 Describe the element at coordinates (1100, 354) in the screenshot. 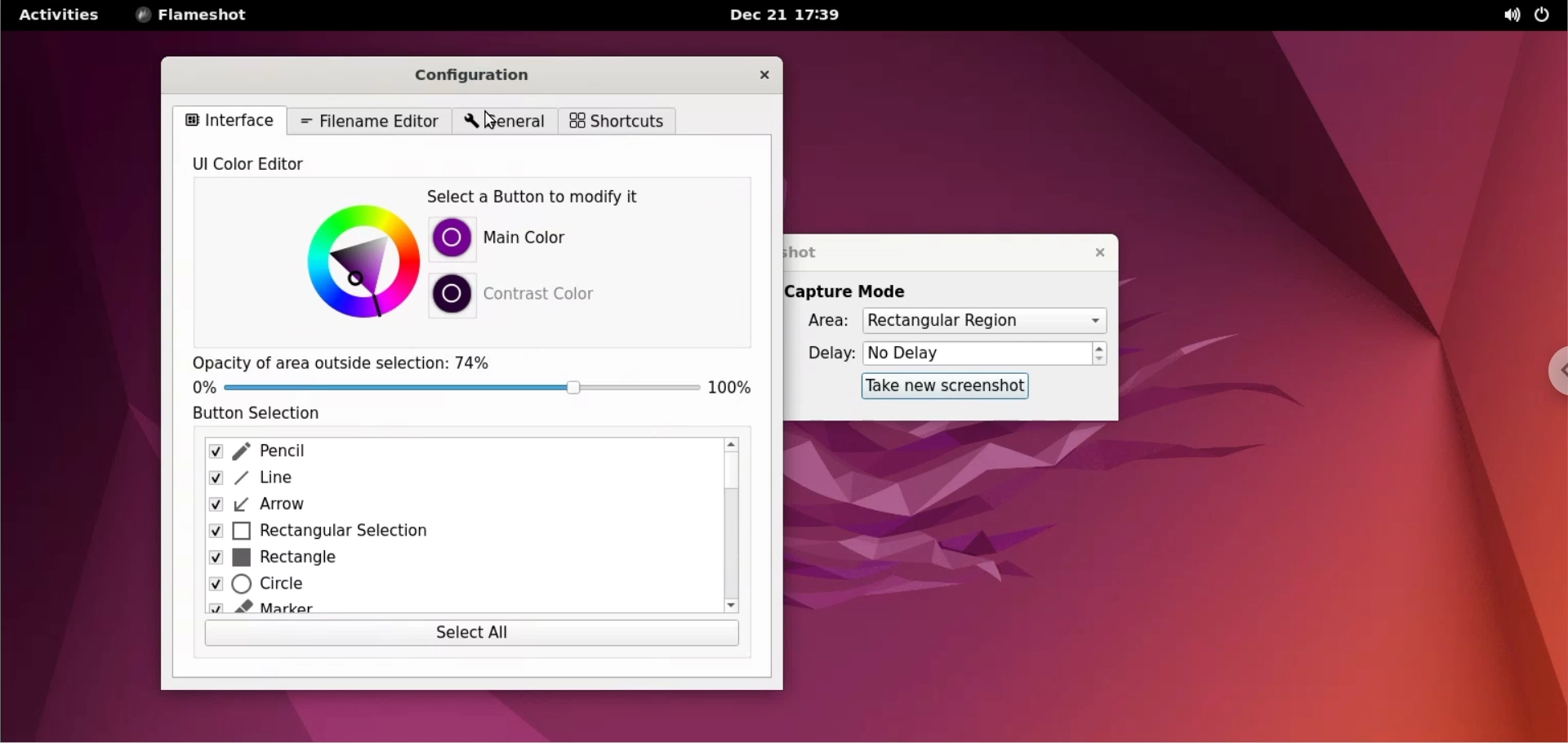

I see `increment and decrement delay time` at that location.